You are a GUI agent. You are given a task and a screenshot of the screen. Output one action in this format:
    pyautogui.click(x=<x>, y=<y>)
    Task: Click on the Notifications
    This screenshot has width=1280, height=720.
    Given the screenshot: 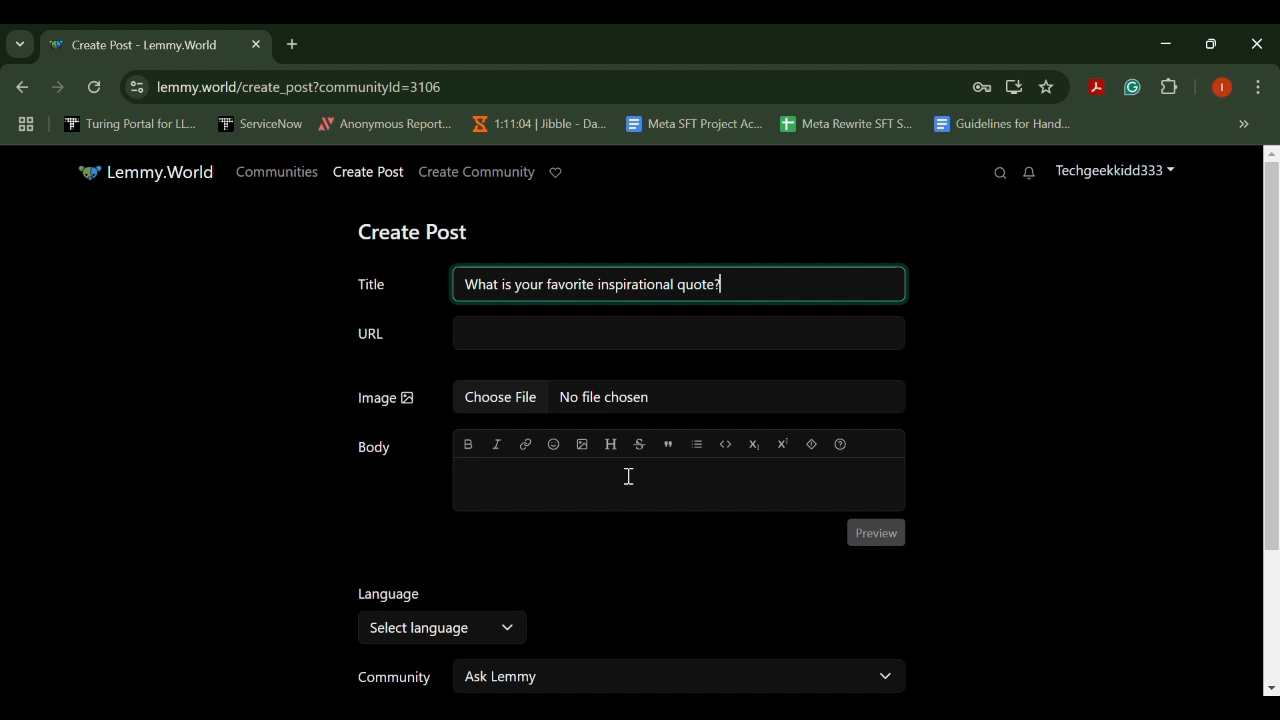 What is the action you would take?
    pyautogui.click(x=1030, y=174)
    